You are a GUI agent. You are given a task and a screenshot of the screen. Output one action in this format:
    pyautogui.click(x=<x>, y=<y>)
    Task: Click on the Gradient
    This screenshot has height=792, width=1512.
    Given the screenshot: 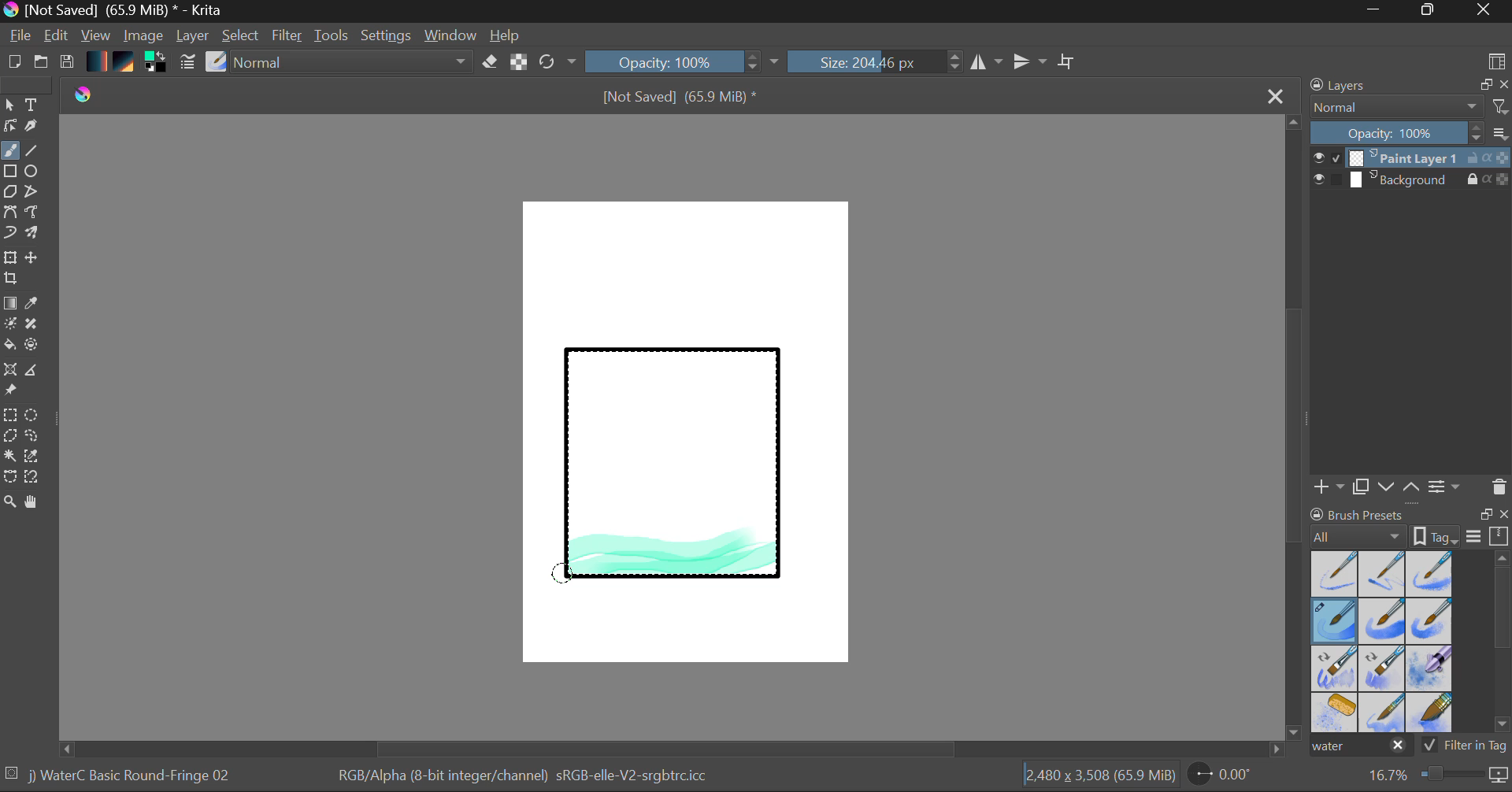 What is the action you would take?
    pyautogui.click(x=95, y=60)
    